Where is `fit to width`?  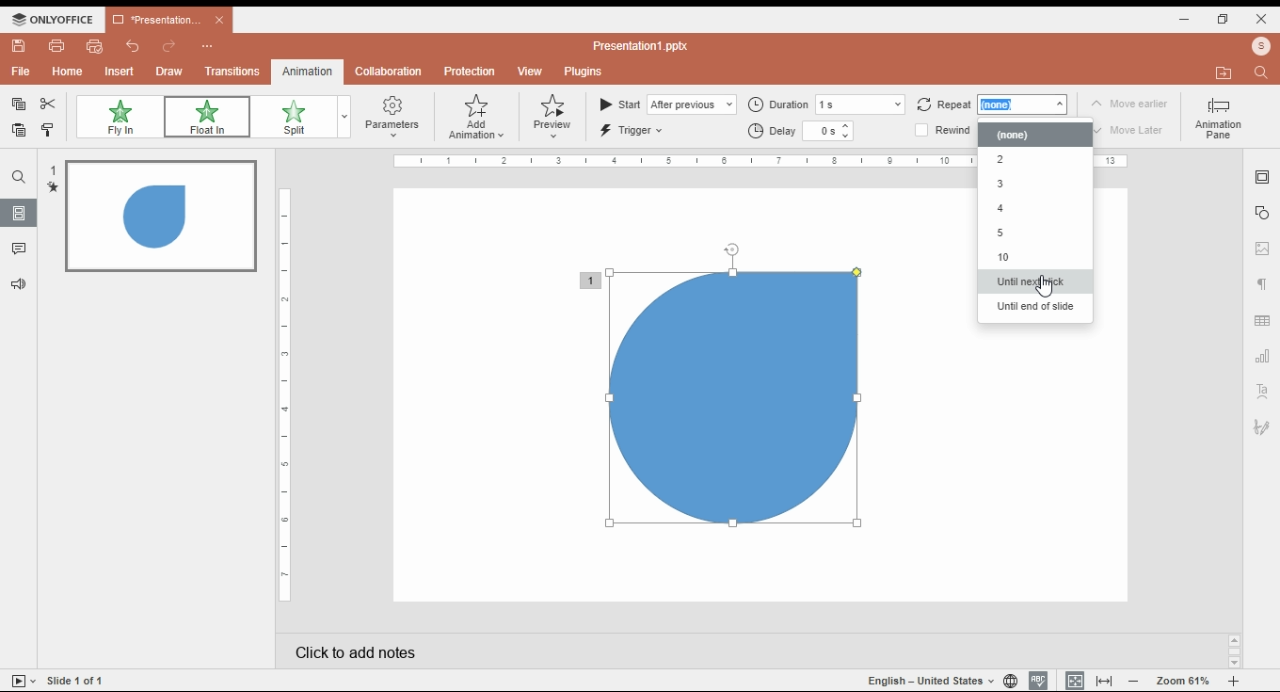 fit to width is located at coordinates (1105, 681).